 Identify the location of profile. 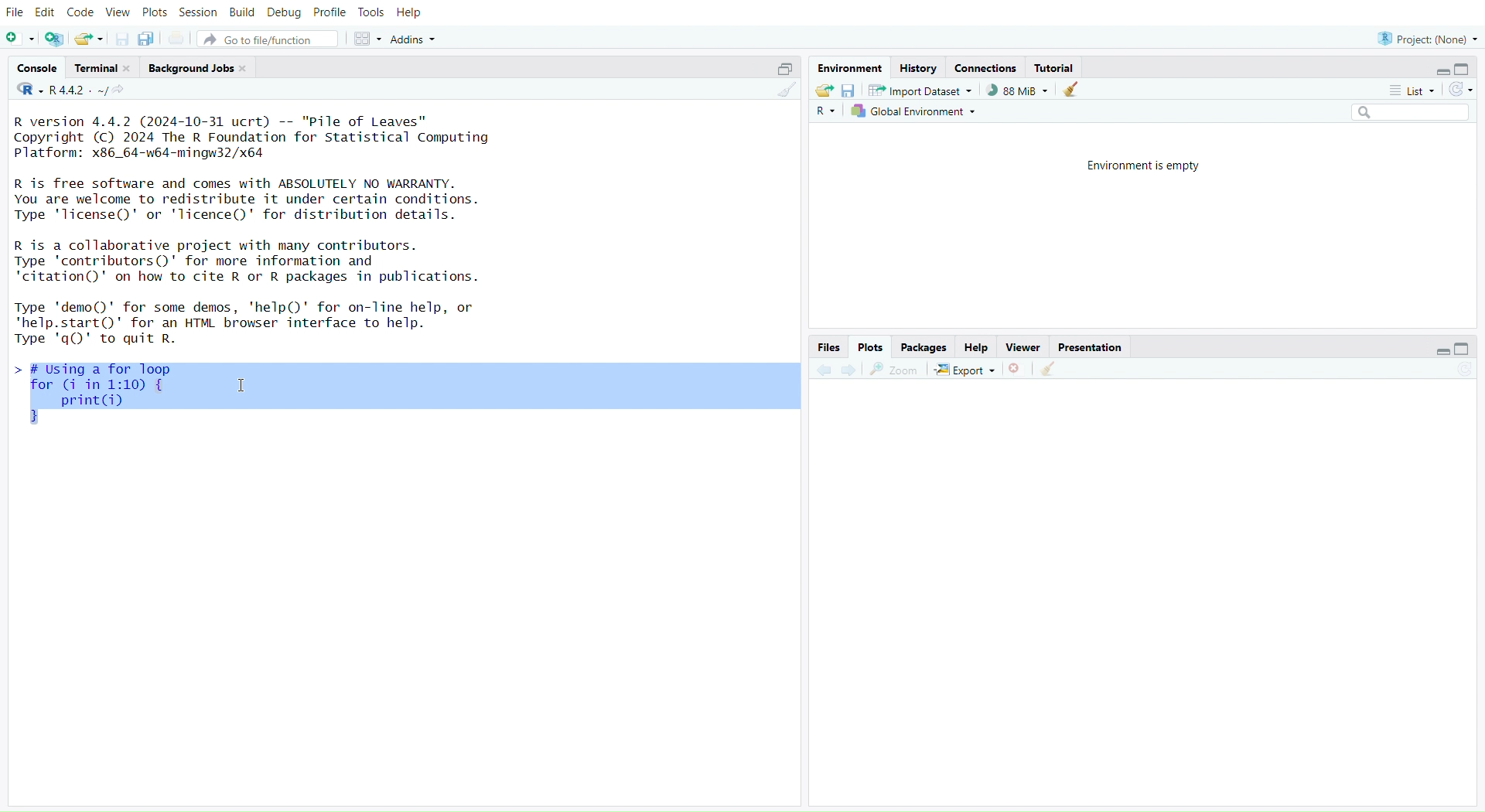
(329, 12).